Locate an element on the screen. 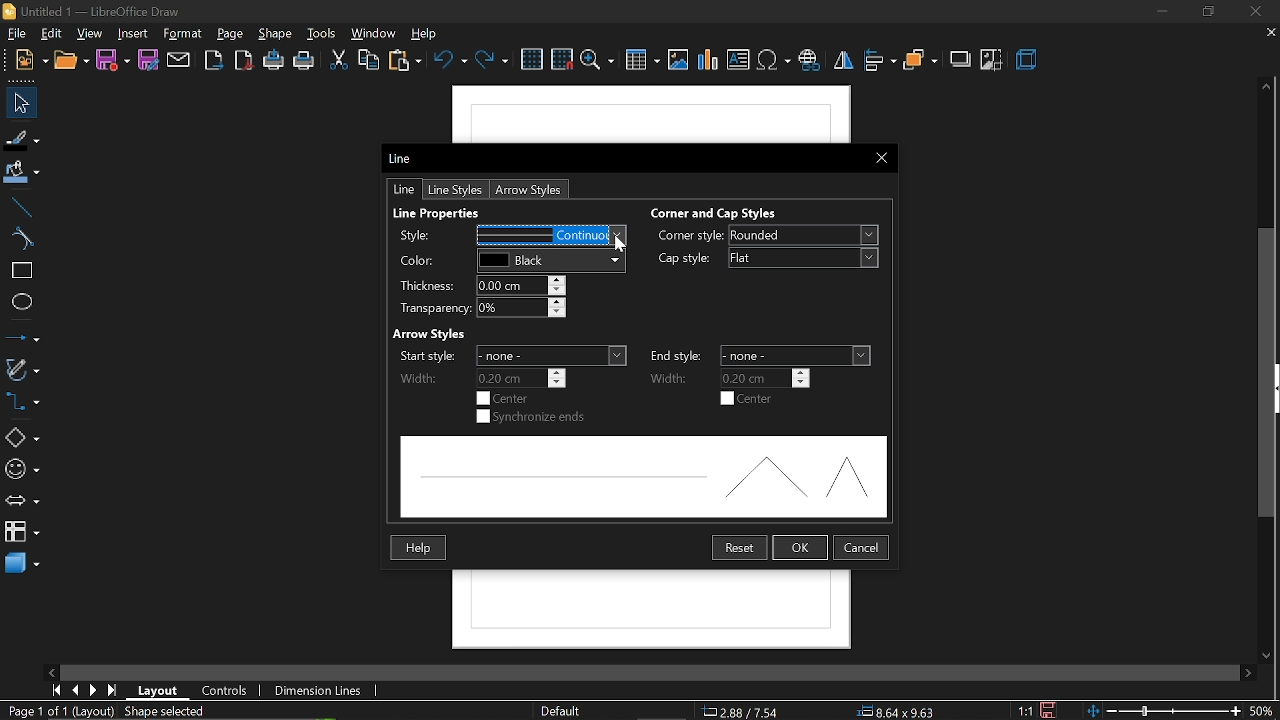  line color is located at coordinates (506, 260).